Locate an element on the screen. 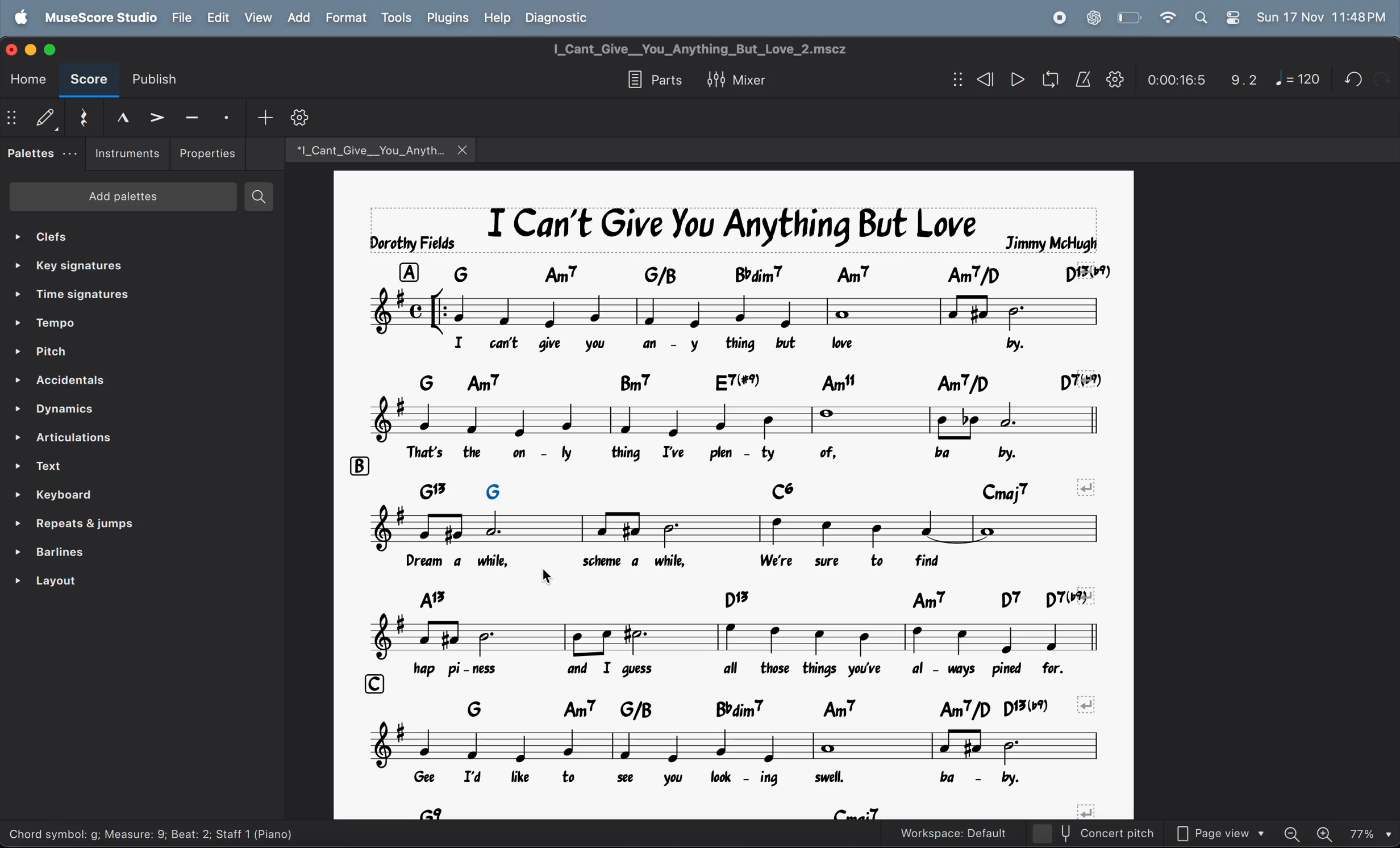 The width and height of the screenshot is (1400, 848). concert pitch is located at coordinates (1090, 833).